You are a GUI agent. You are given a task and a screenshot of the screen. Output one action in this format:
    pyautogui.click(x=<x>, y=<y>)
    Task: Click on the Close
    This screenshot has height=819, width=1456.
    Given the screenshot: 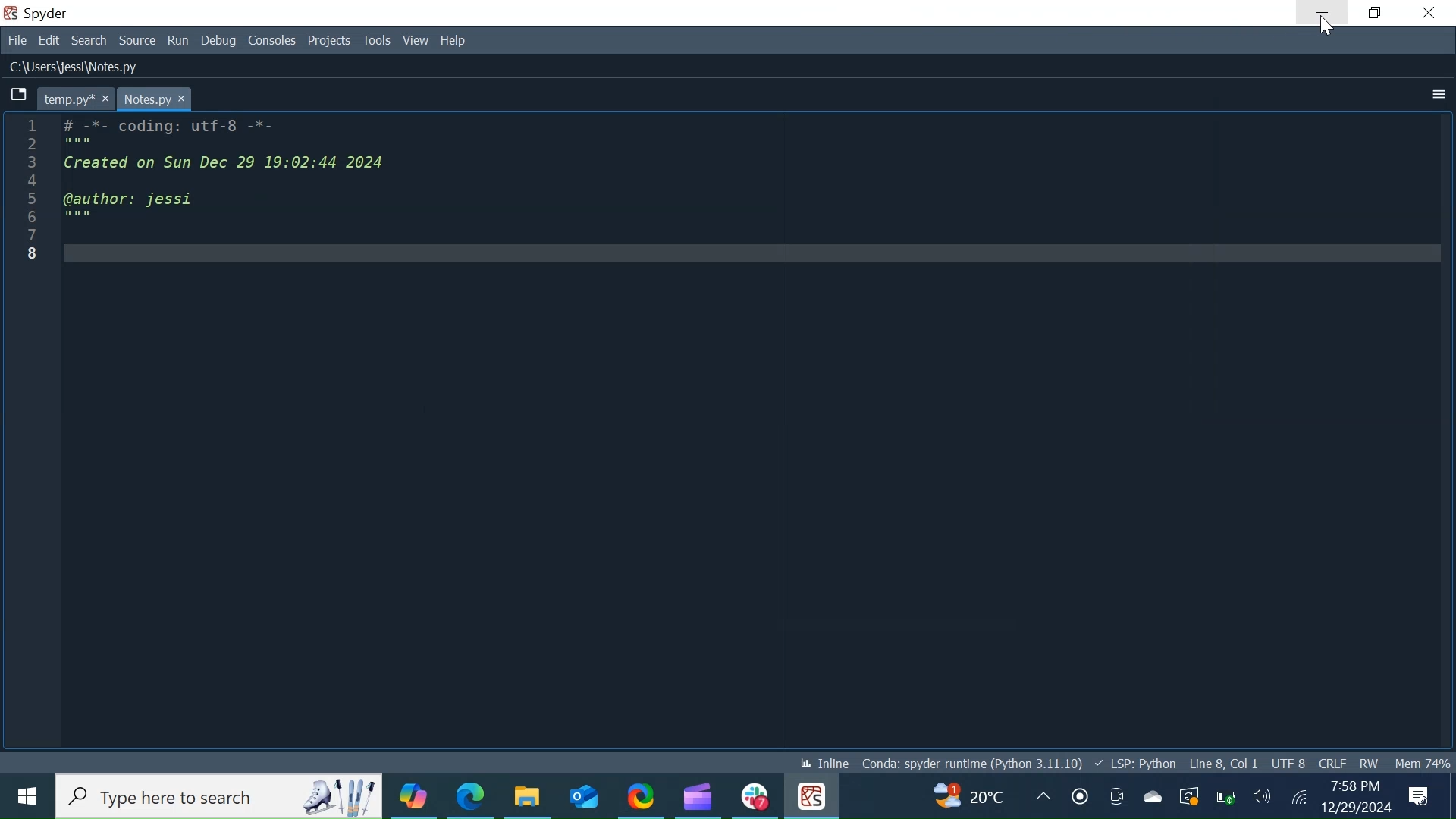 What is the action you would take?
    pyautogui.click(x=1426, y=11)
    